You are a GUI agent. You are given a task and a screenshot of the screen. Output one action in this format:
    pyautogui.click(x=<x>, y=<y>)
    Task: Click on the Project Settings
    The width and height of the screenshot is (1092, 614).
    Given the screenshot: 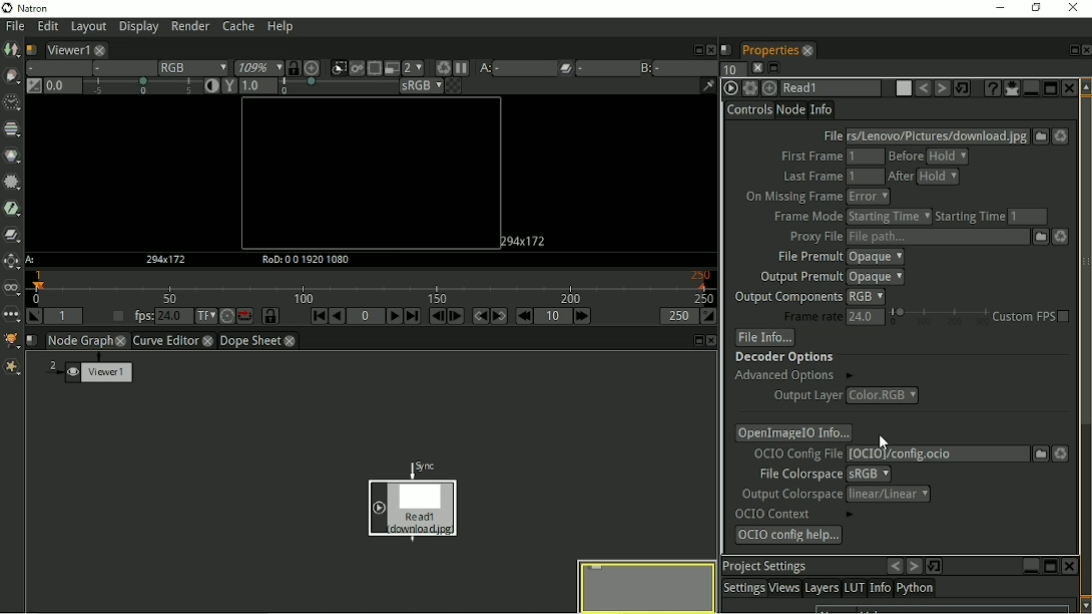 What is the action you would take?
    pyautogui.click(x=766, y=565)
    